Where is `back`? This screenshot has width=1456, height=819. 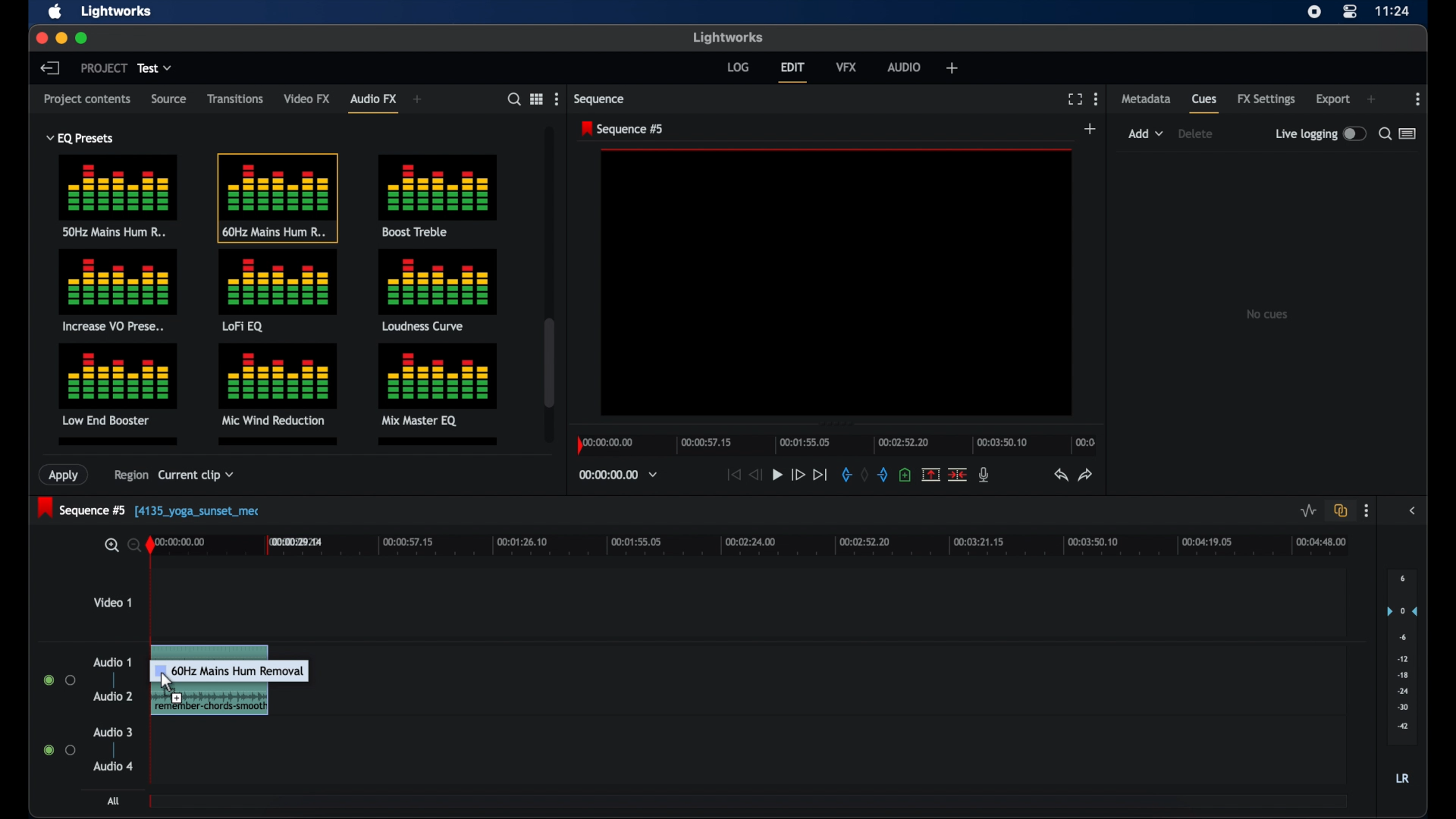 back is located at coordinates (49, 67).